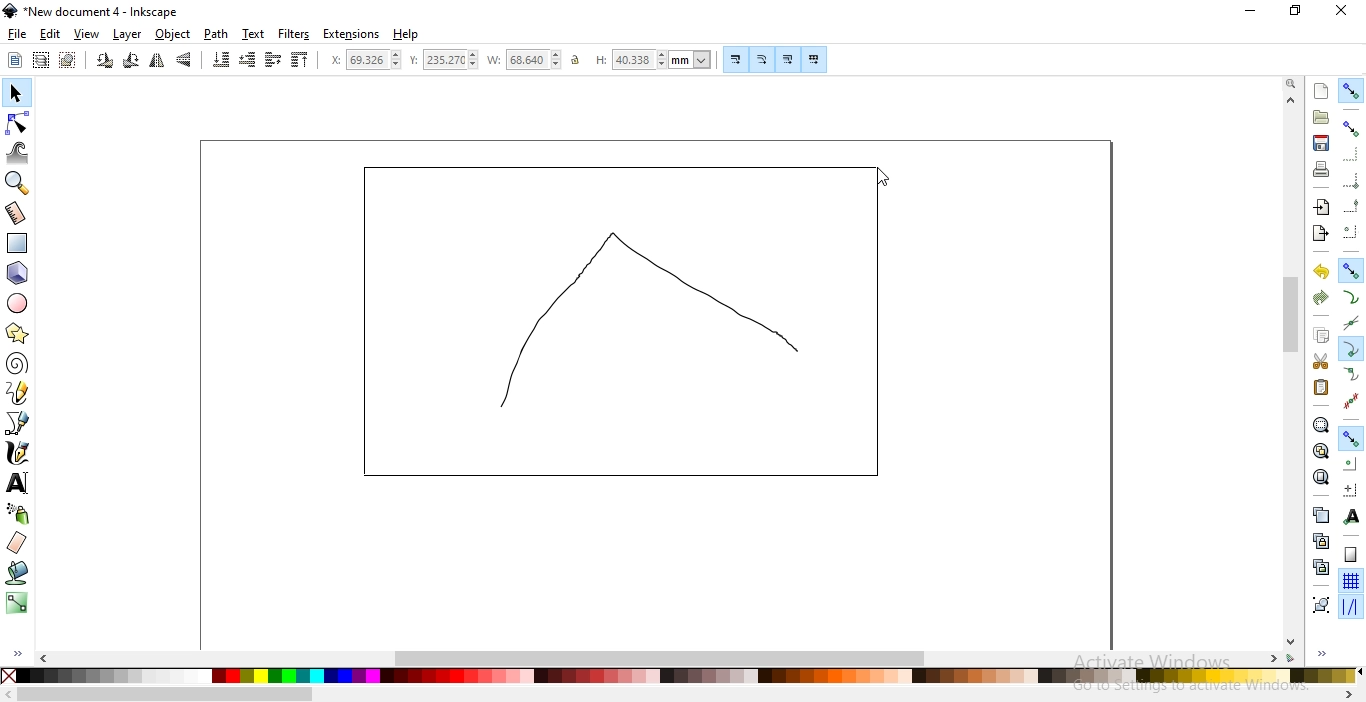 The image size is (1366, 702). I want to click on new document 4 - Inkscape, so click(102, 12).